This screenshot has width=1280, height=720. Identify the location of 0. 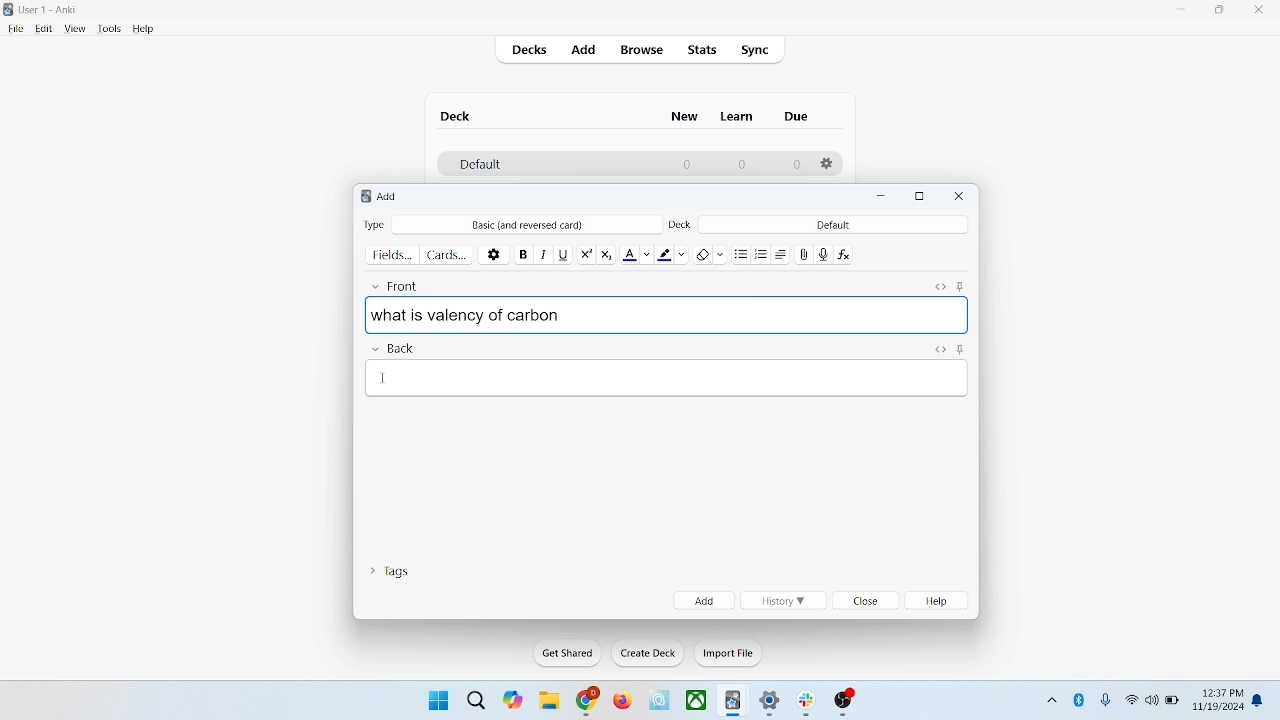
(740, 164).